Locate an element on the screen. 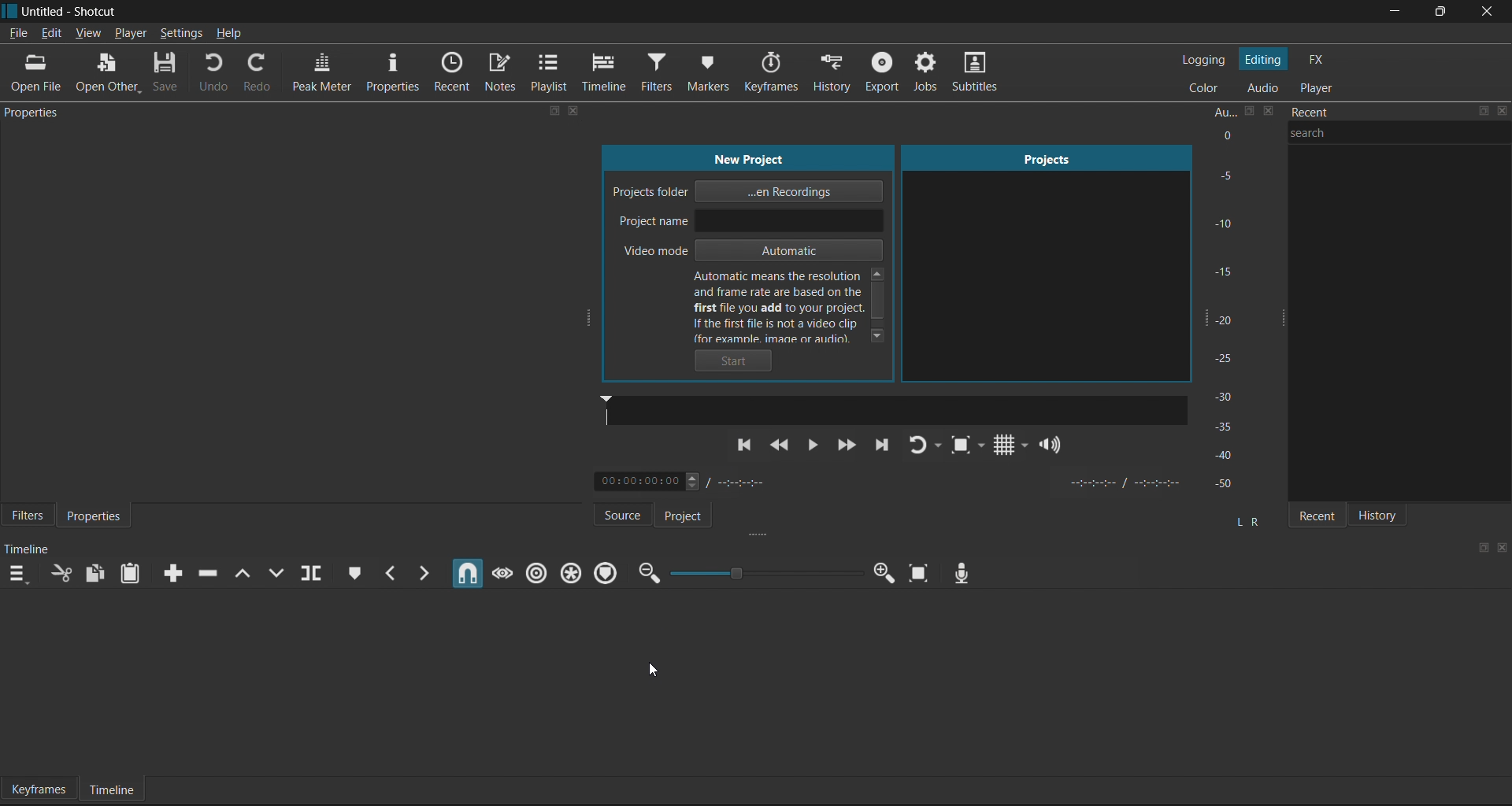  Source is located at coordinates (613, 514).